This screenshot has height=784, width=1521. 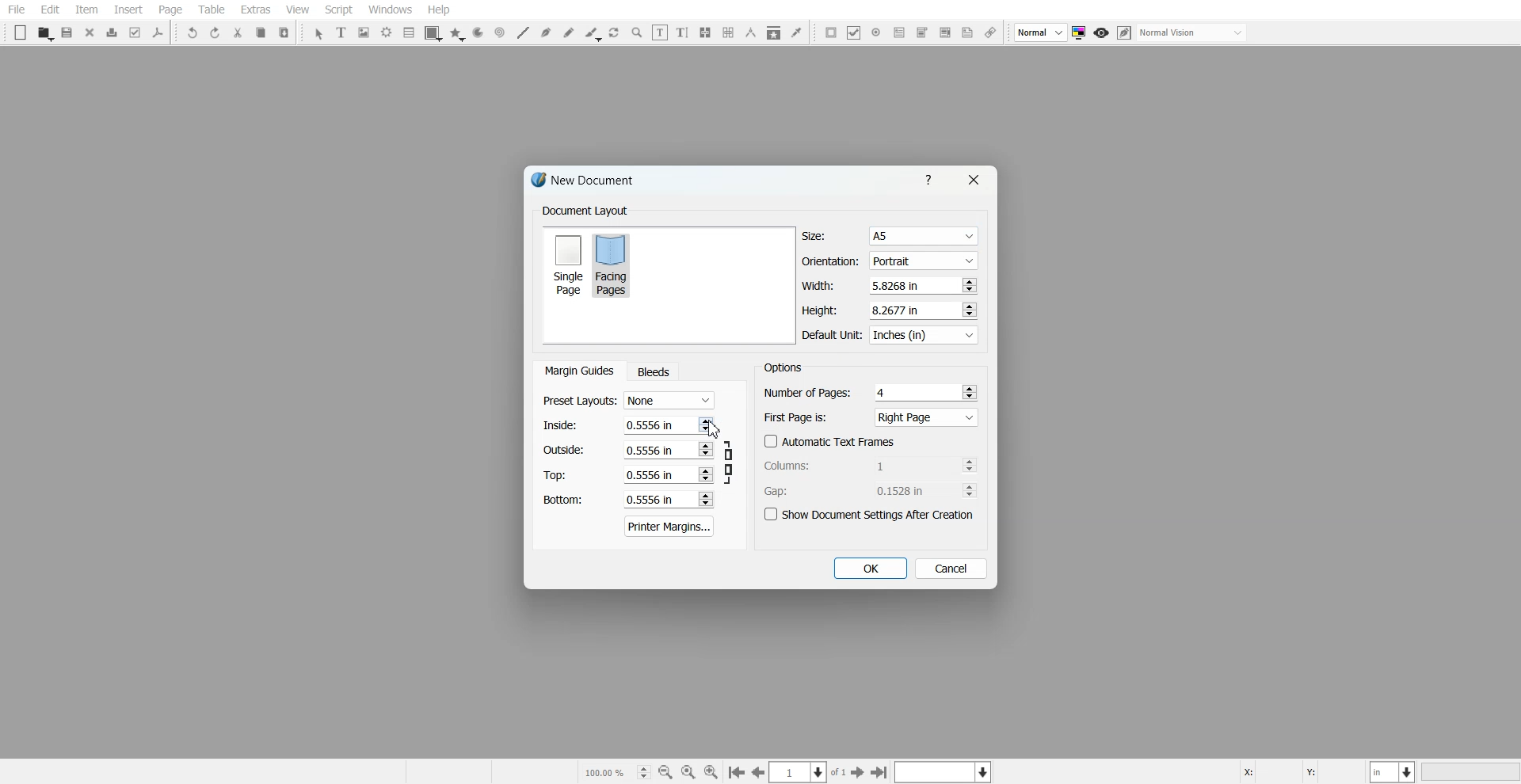 What do you see at coordinates (871, 490) in the screenshot?
I see `Gap Adjuster` at bounding box center [871, 490].